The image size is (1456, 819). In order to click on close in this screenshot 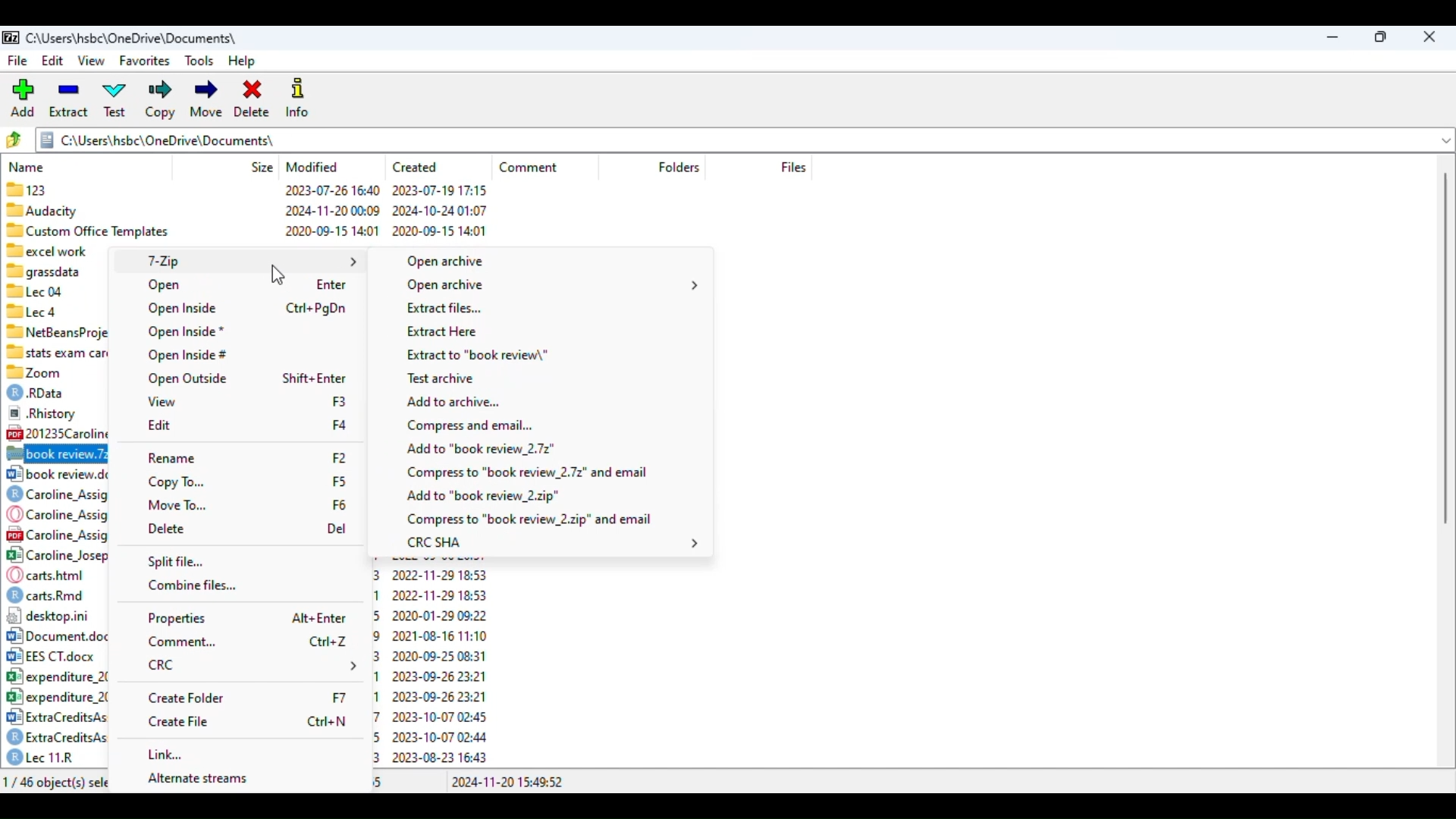, I will do `click(1429, 37)`.